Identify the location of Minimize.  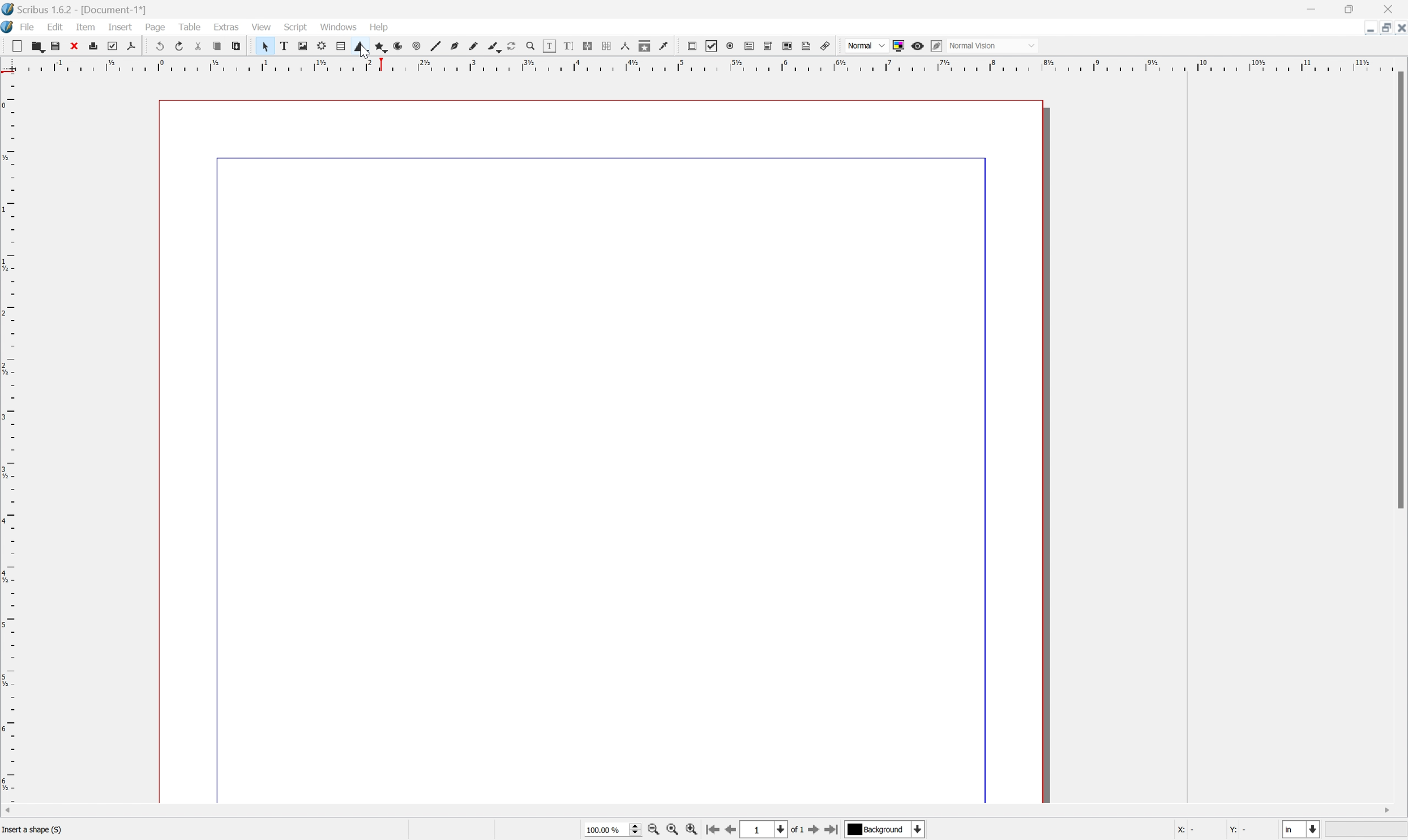
(1368, 28).